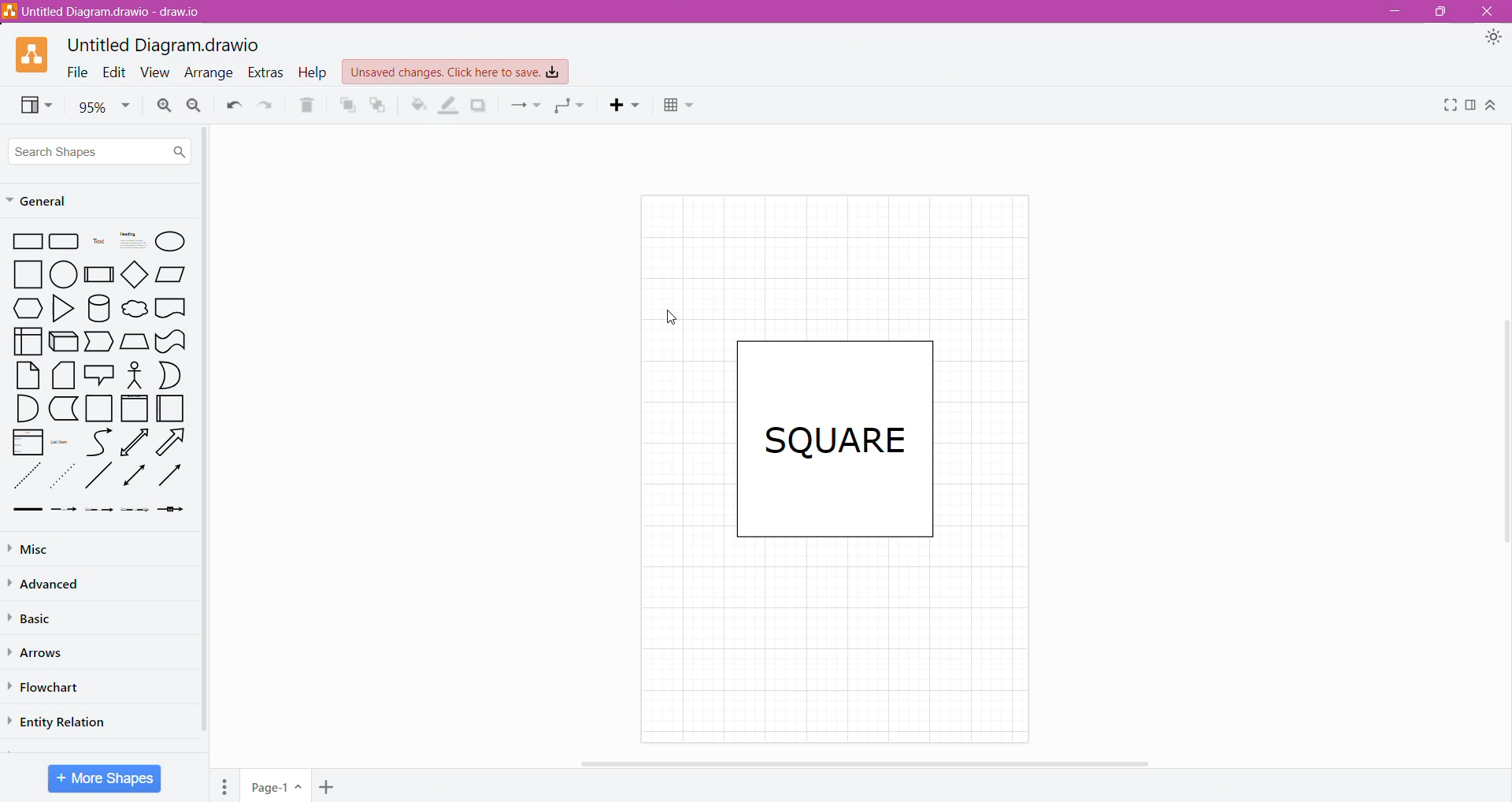  I want to click on Curved Line , so click(98, 443).